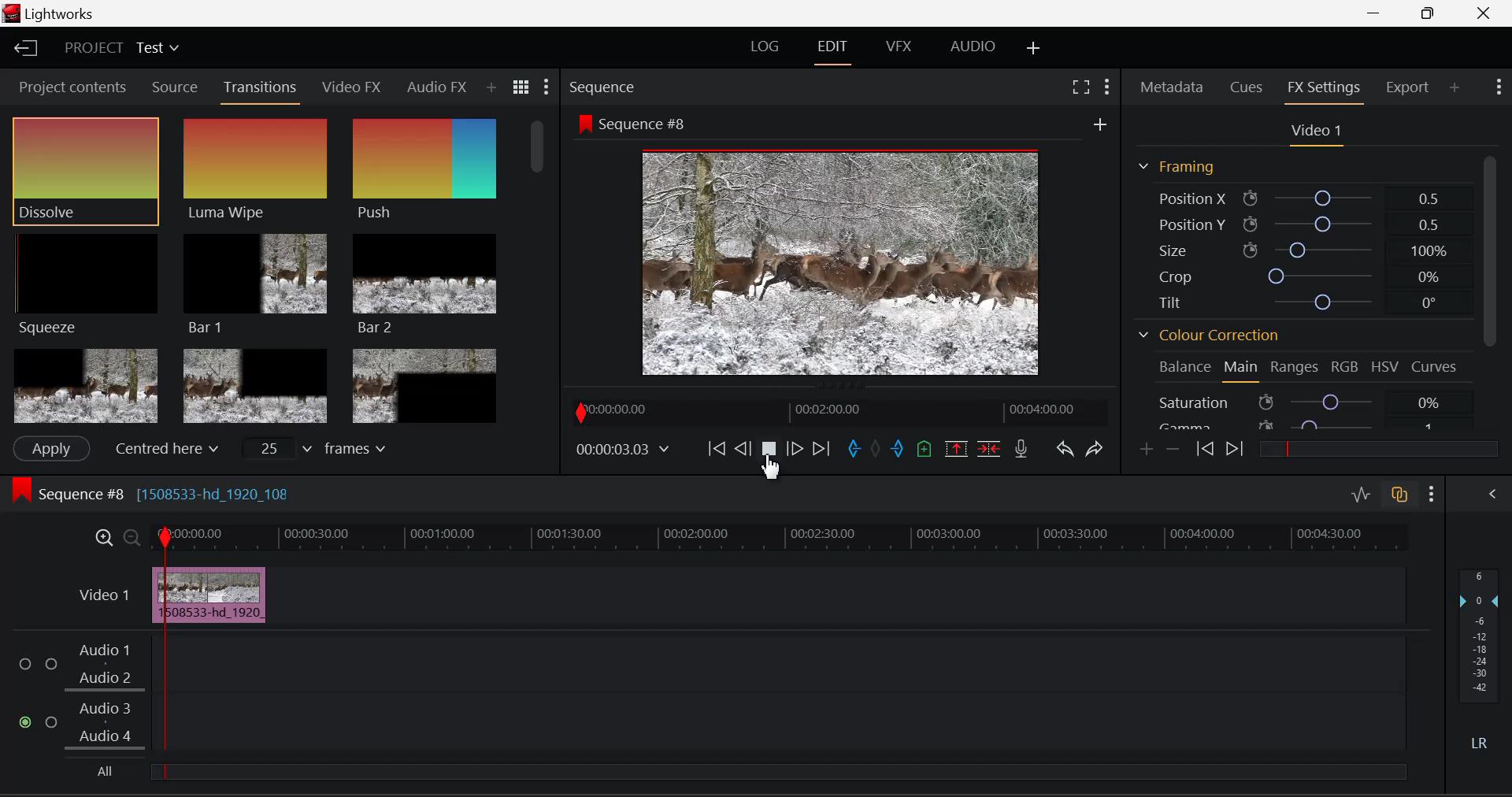 This screenshot has width=1512, height=797. Describe the element at coordinates (176, 87) in the screenshot. I see `Source` at that location.